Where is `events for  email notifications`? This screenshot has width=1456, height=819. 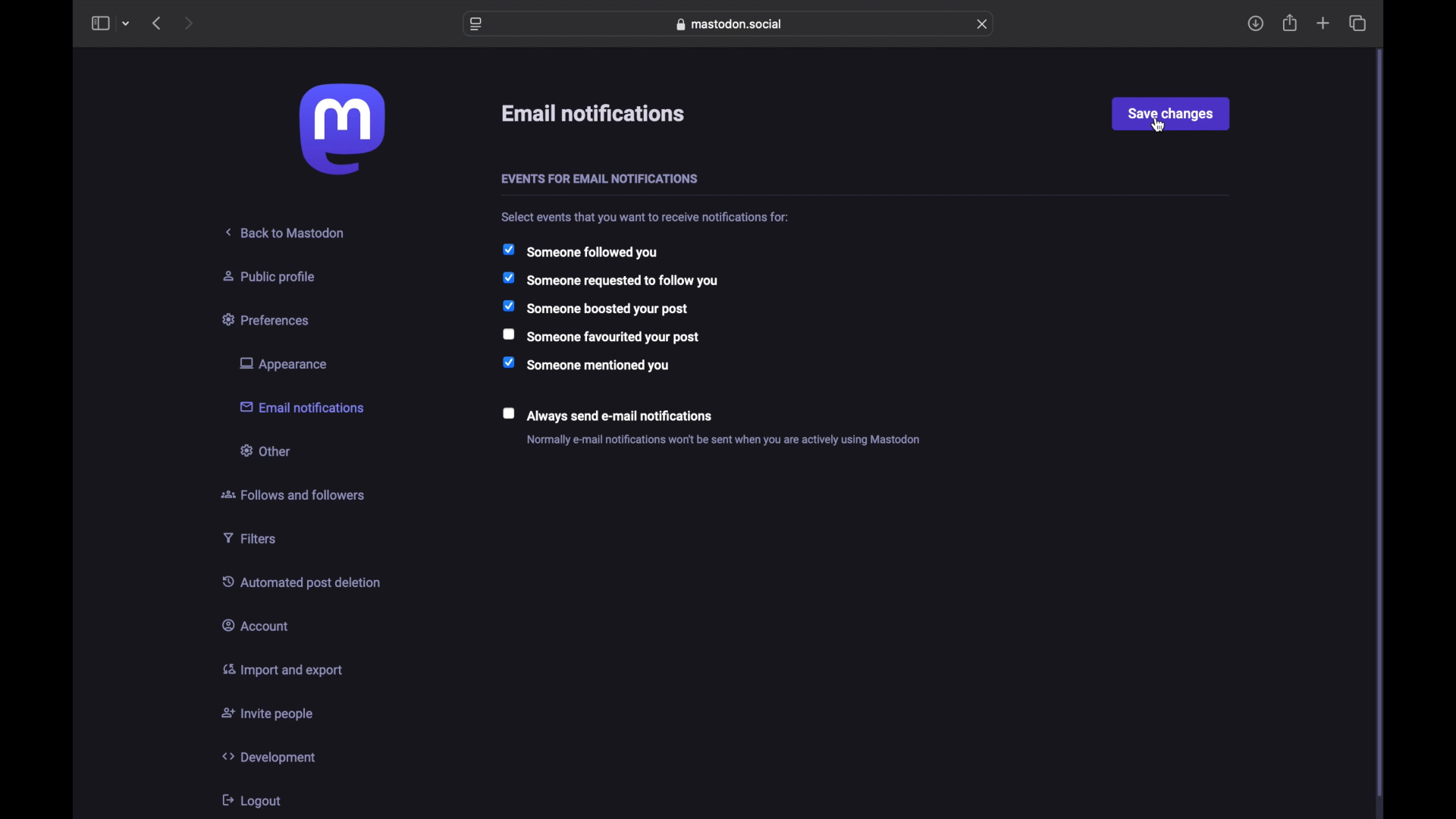 events for  email notifications is located at coordinates (599, 180).